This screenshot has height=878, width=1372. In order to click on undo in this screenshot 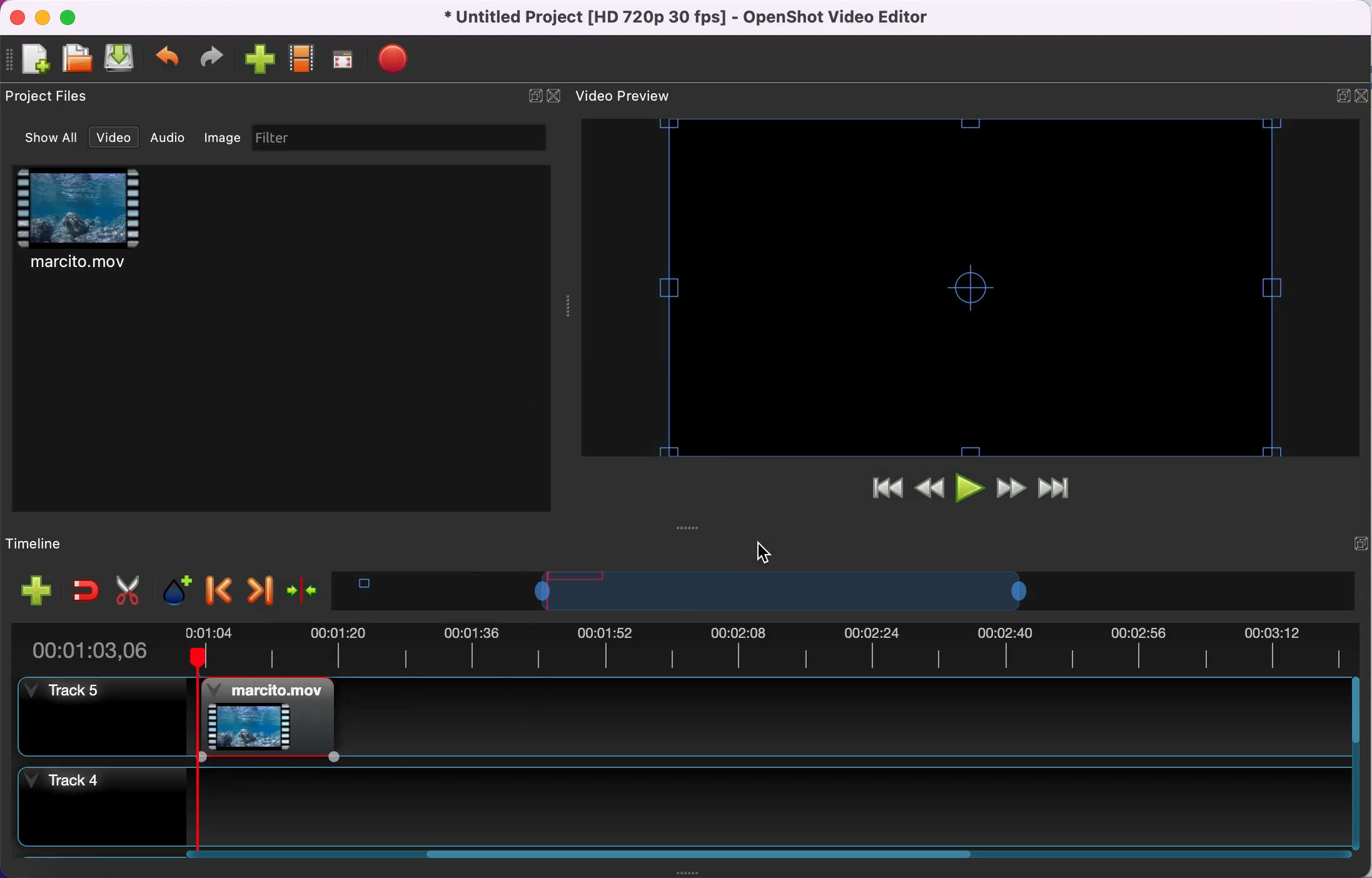, I will do `click(164, 58)`.